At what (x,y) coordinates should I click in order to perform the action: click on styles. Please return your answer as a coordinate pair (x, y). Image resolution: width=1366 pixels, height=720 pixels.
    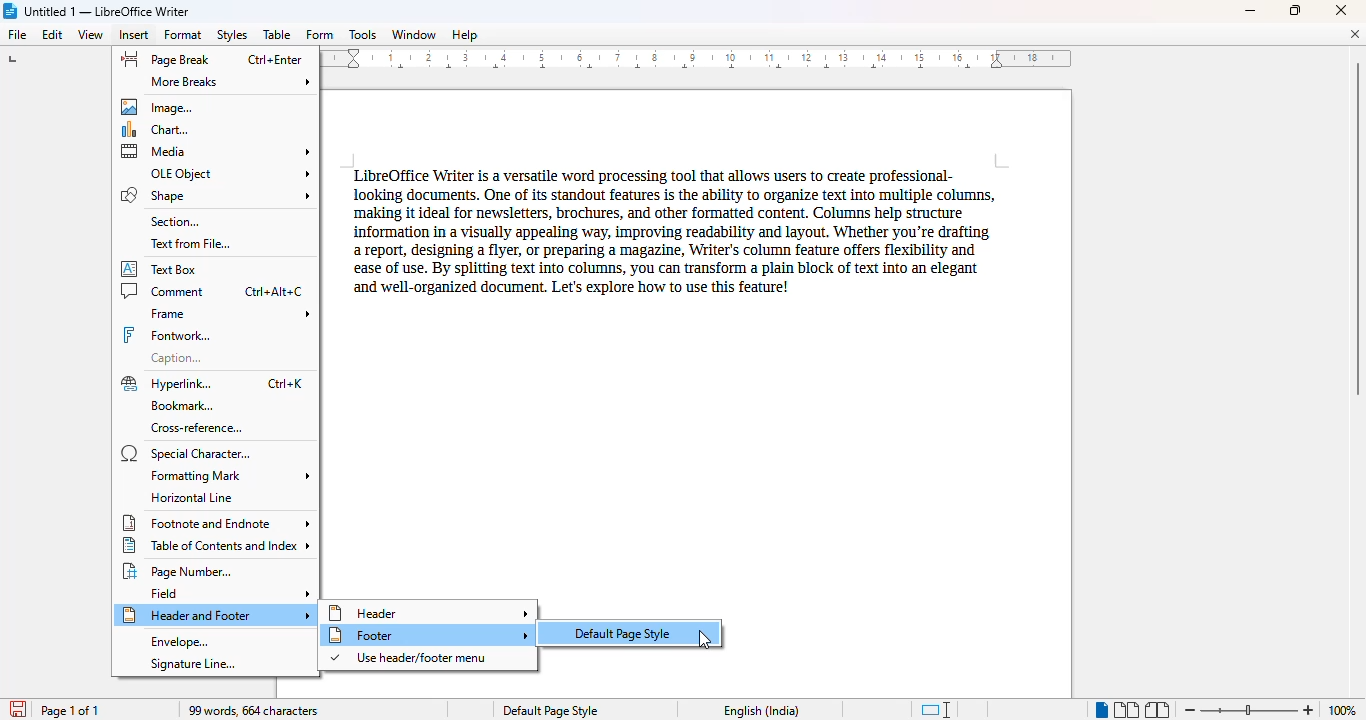
    Looking at the image, I should click on (231, 35).